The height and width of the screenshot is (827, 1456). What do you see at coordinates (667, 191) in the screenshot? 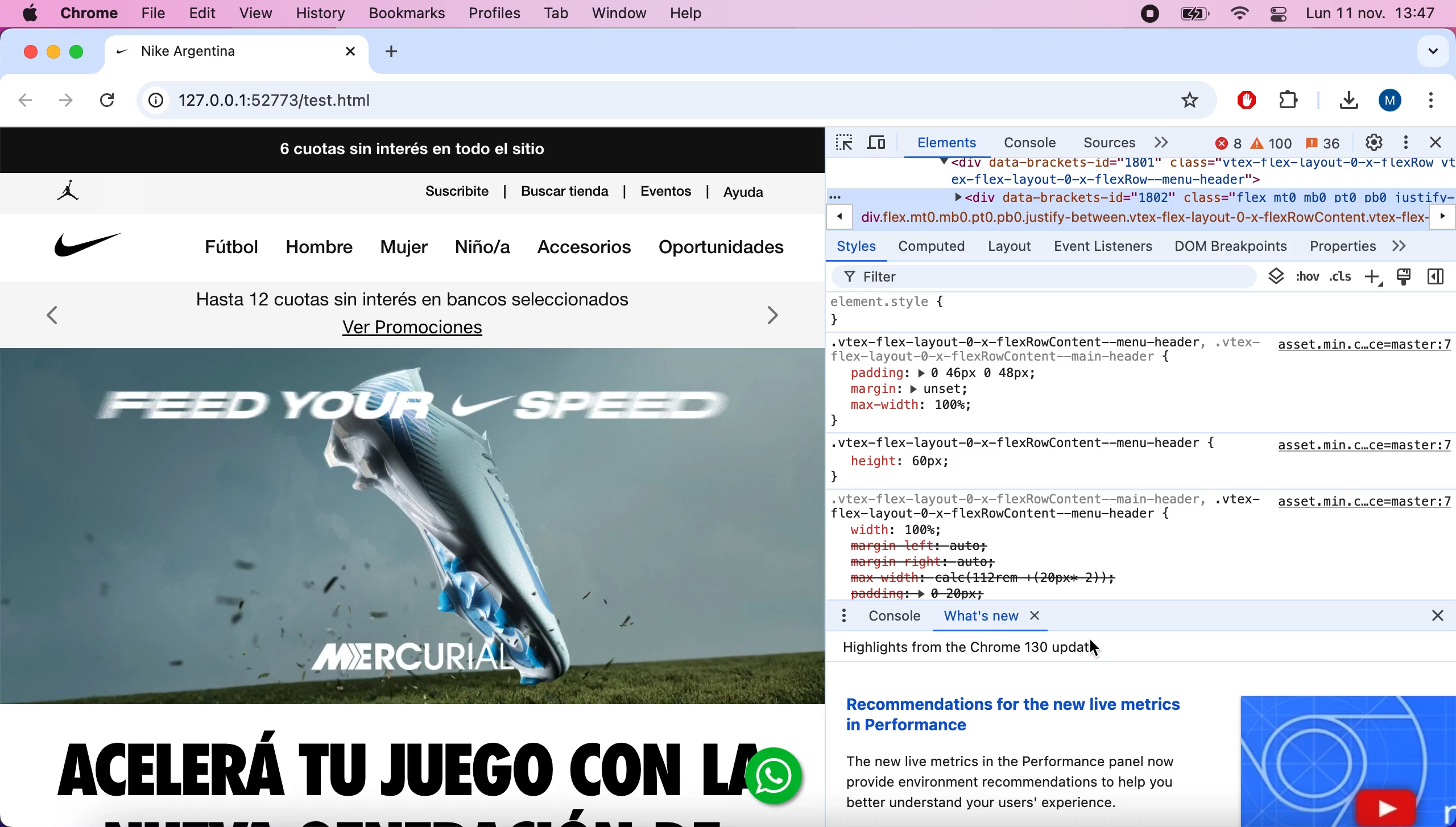
I see `Eventos` at bounding box center [667, 191].